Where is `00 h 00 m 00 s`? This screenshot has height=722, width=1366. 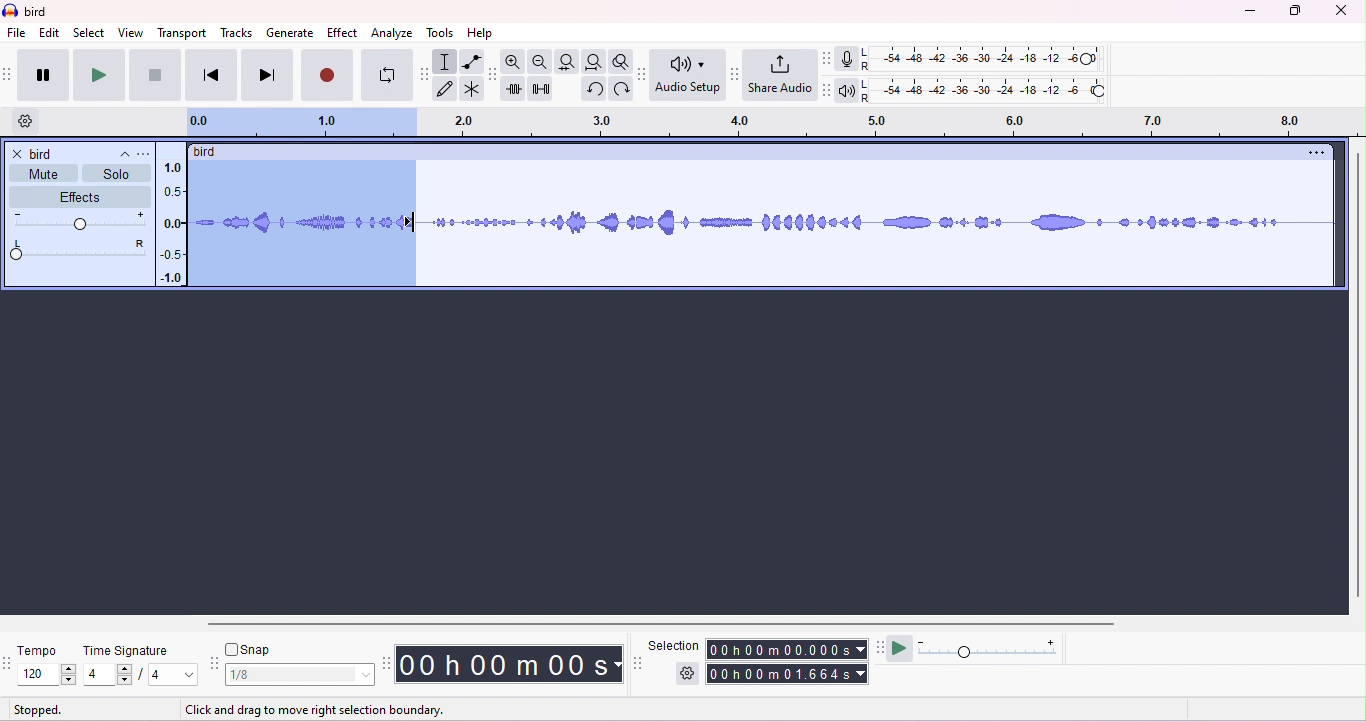 00 h 00 m 00 s is located at coordinates (512, 663).